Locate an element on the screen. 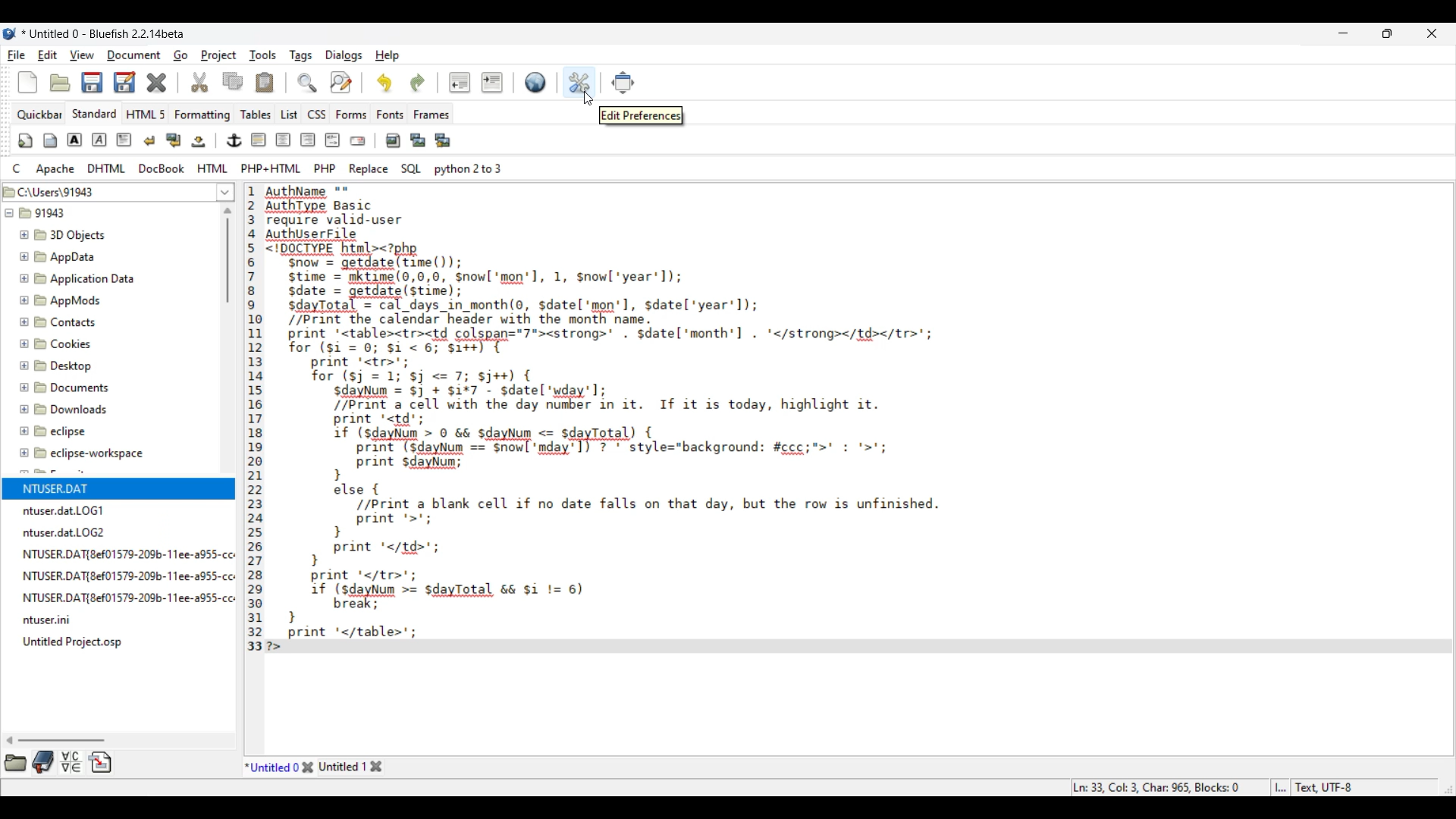  Software logo is located at coordinates (10, 34).